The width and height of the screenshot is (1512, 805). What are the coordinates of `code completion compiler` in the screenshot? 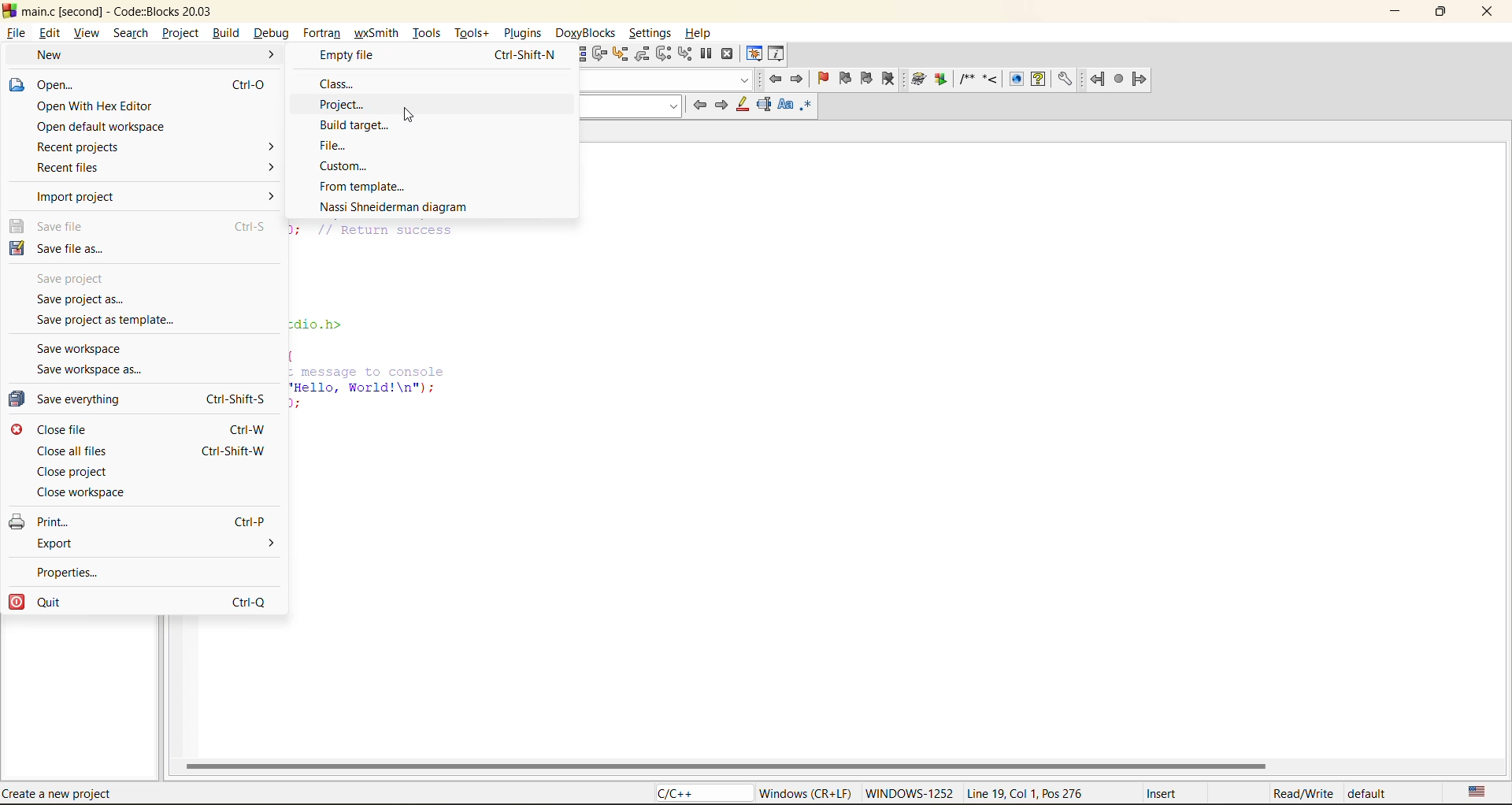 It's located at (669, 80).